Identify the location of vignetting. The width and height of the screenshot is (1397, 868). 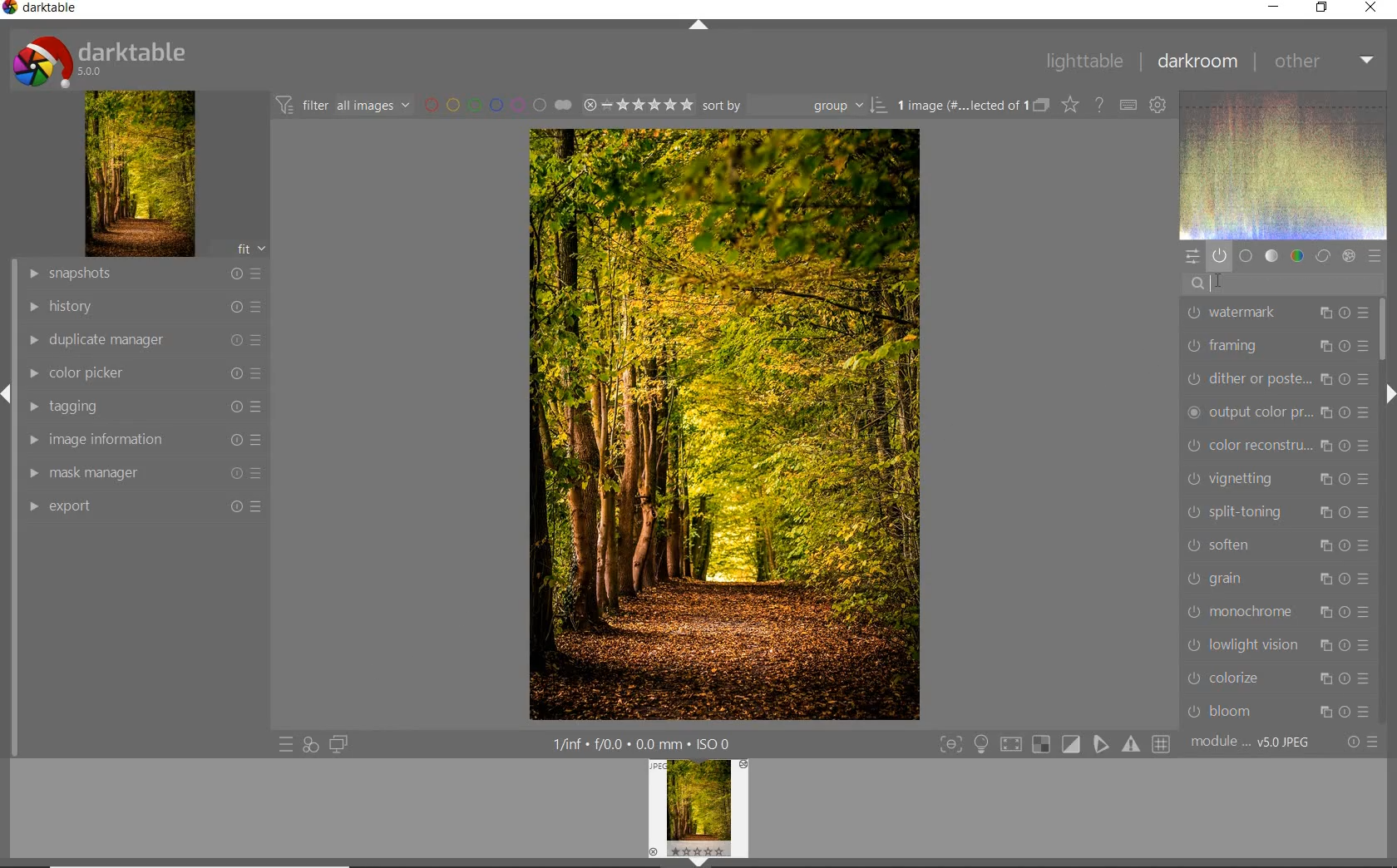
(1277, 479).